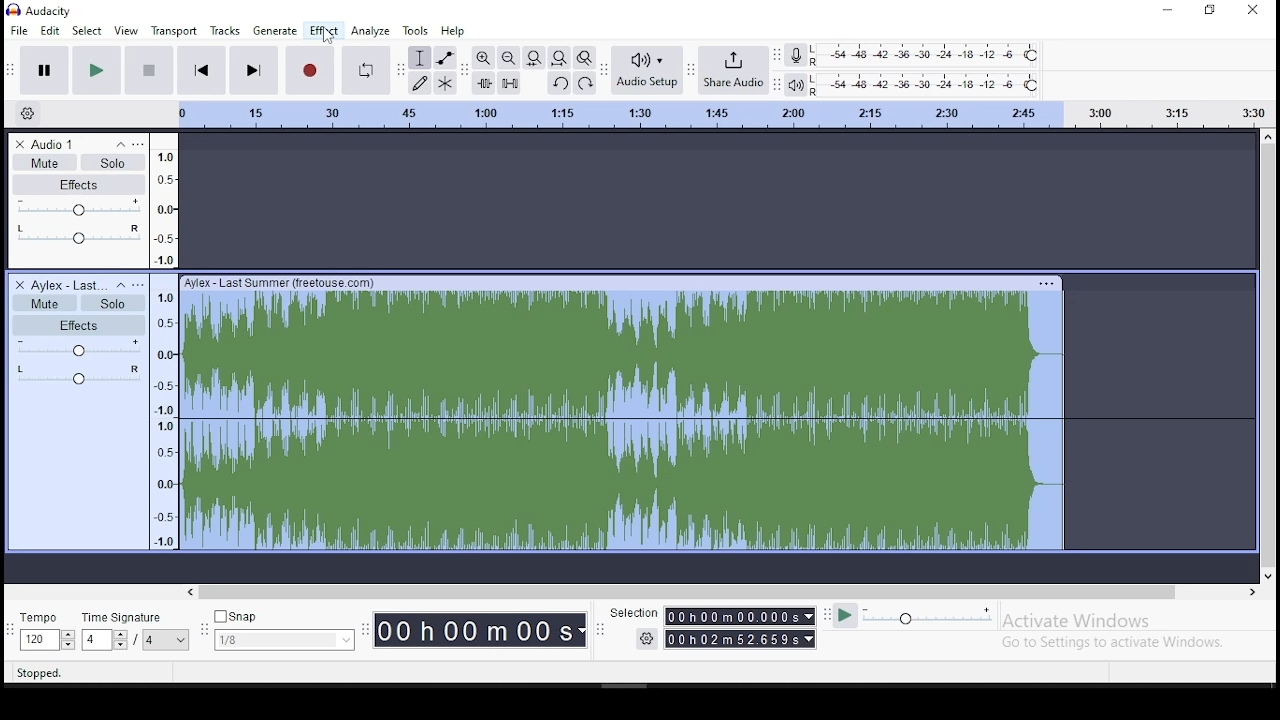 Image resolution: width=1280 pixels, height=720 pixels. I want to click on settings, so click(31, 111).